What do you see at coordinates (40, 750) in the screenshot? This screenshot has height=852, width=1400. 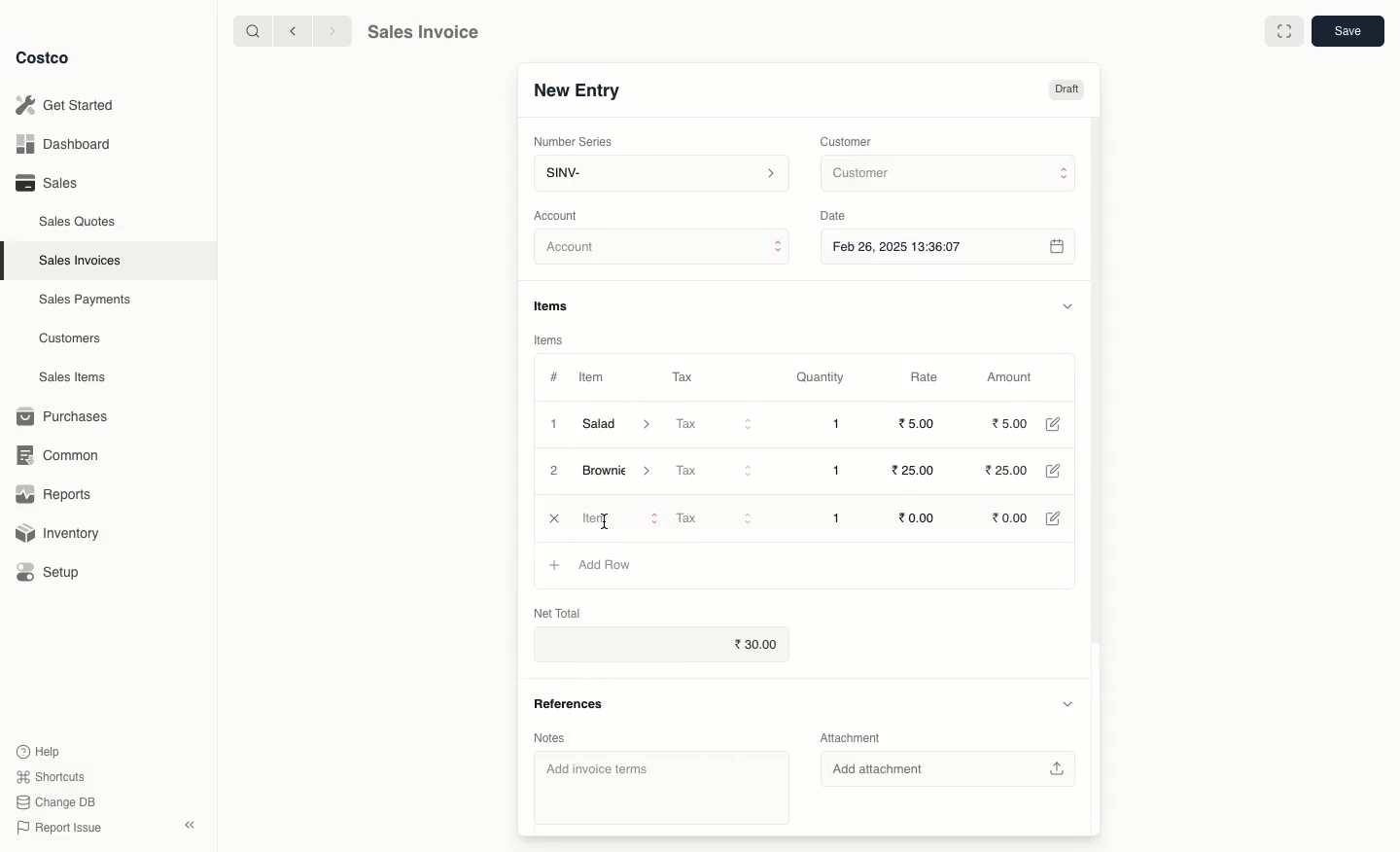 I see `Help` at bounding box center [40, 750].